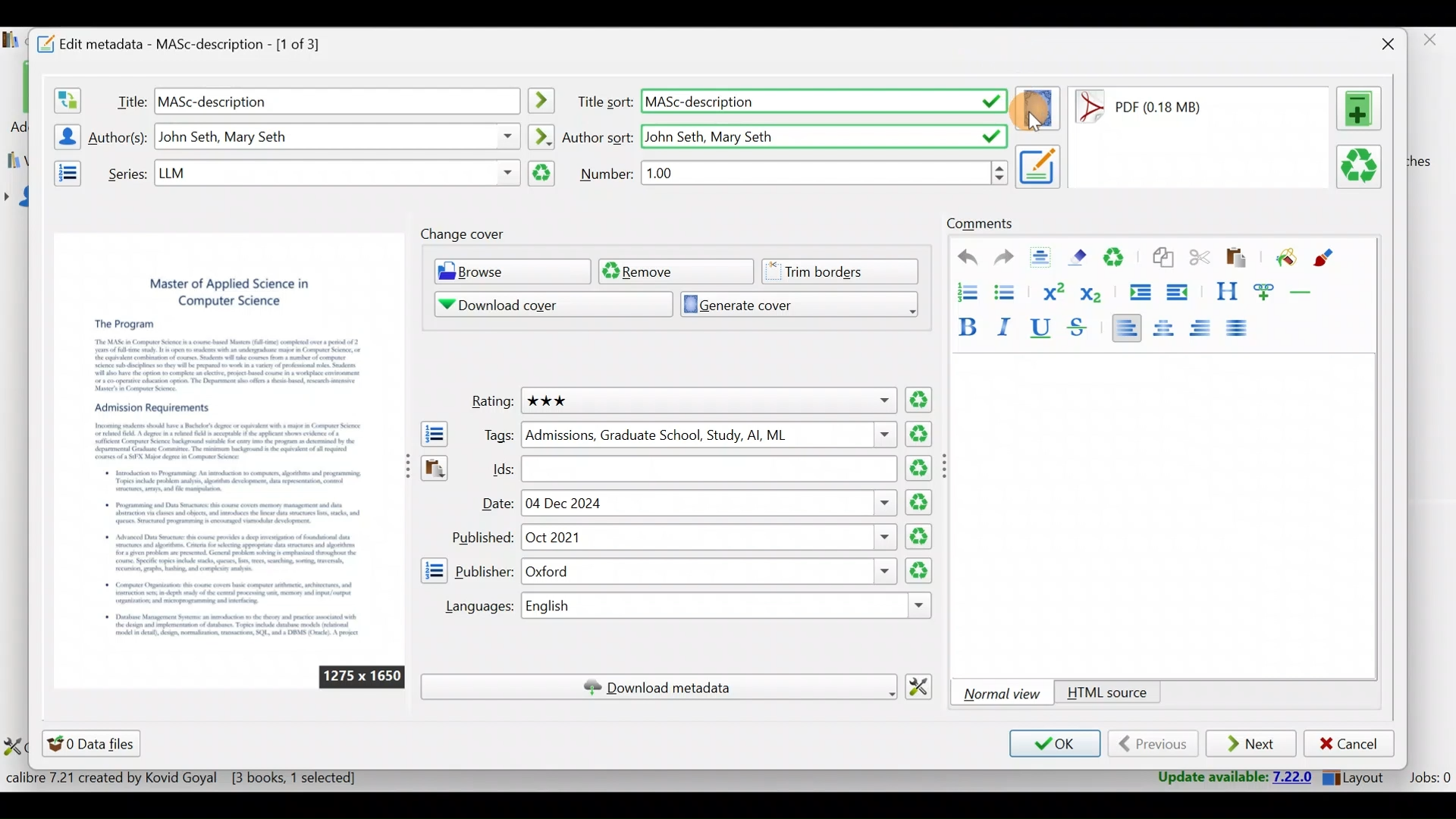 The height and width of the screenshot is (819, 1456). What do you see at coordinates (1428, 780) in the screenshot?
I see `Jobs` at bounding box center [1428, 780].